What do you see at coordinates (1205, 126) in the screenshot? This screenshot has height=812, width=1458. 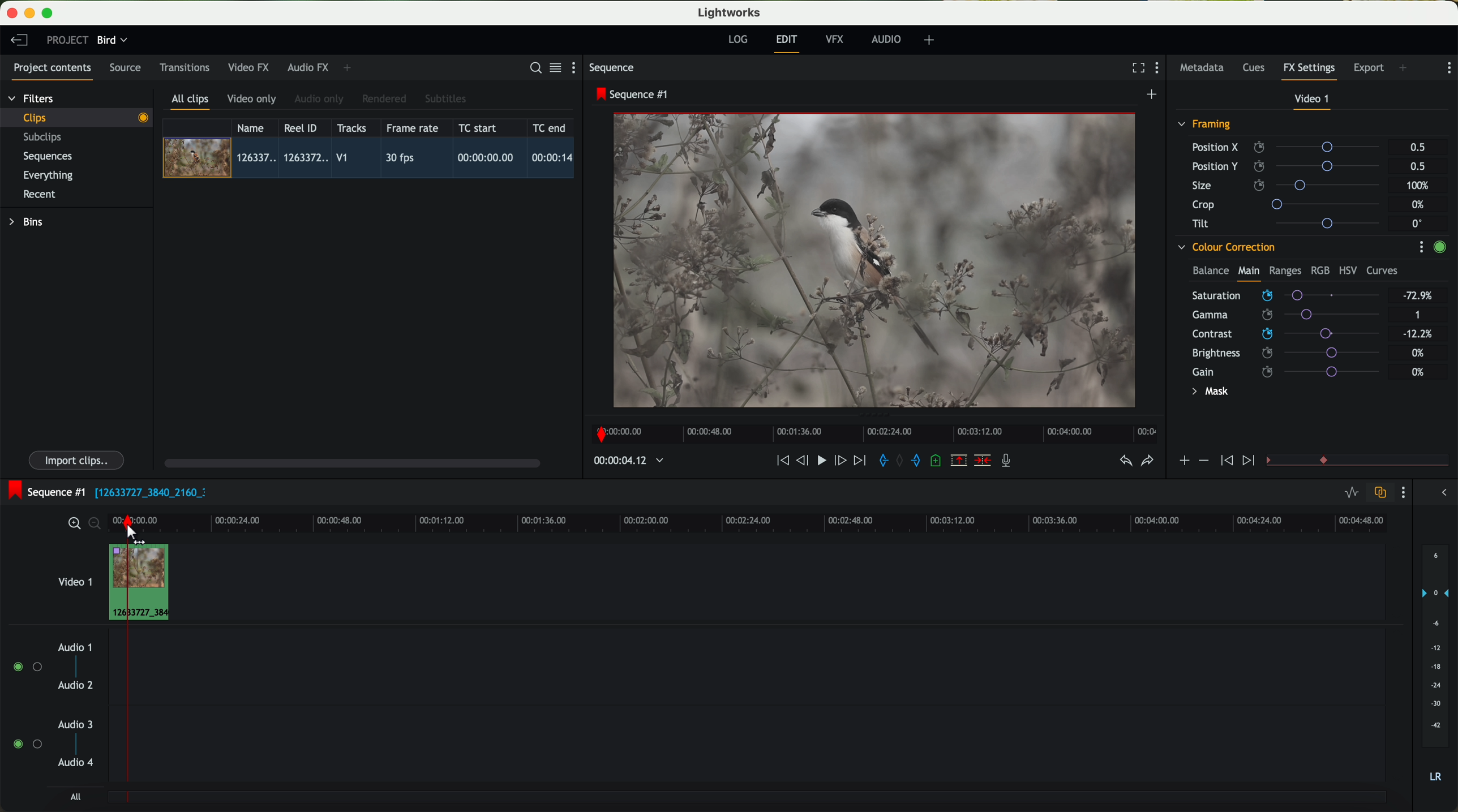 I see `framing` at bounding box center [1205, 126].